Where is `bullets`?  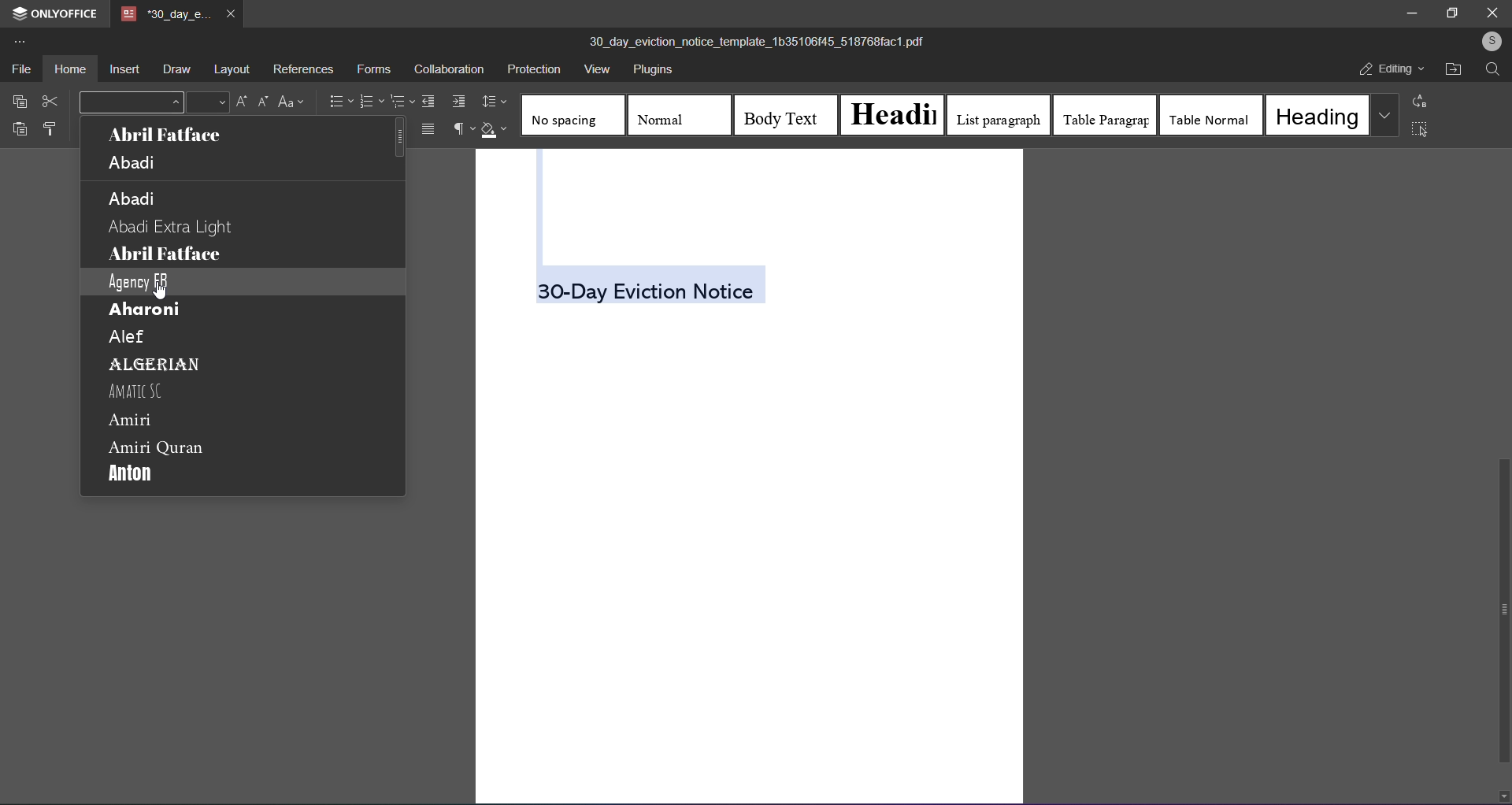
bullets is located at coordinates (339, 100).